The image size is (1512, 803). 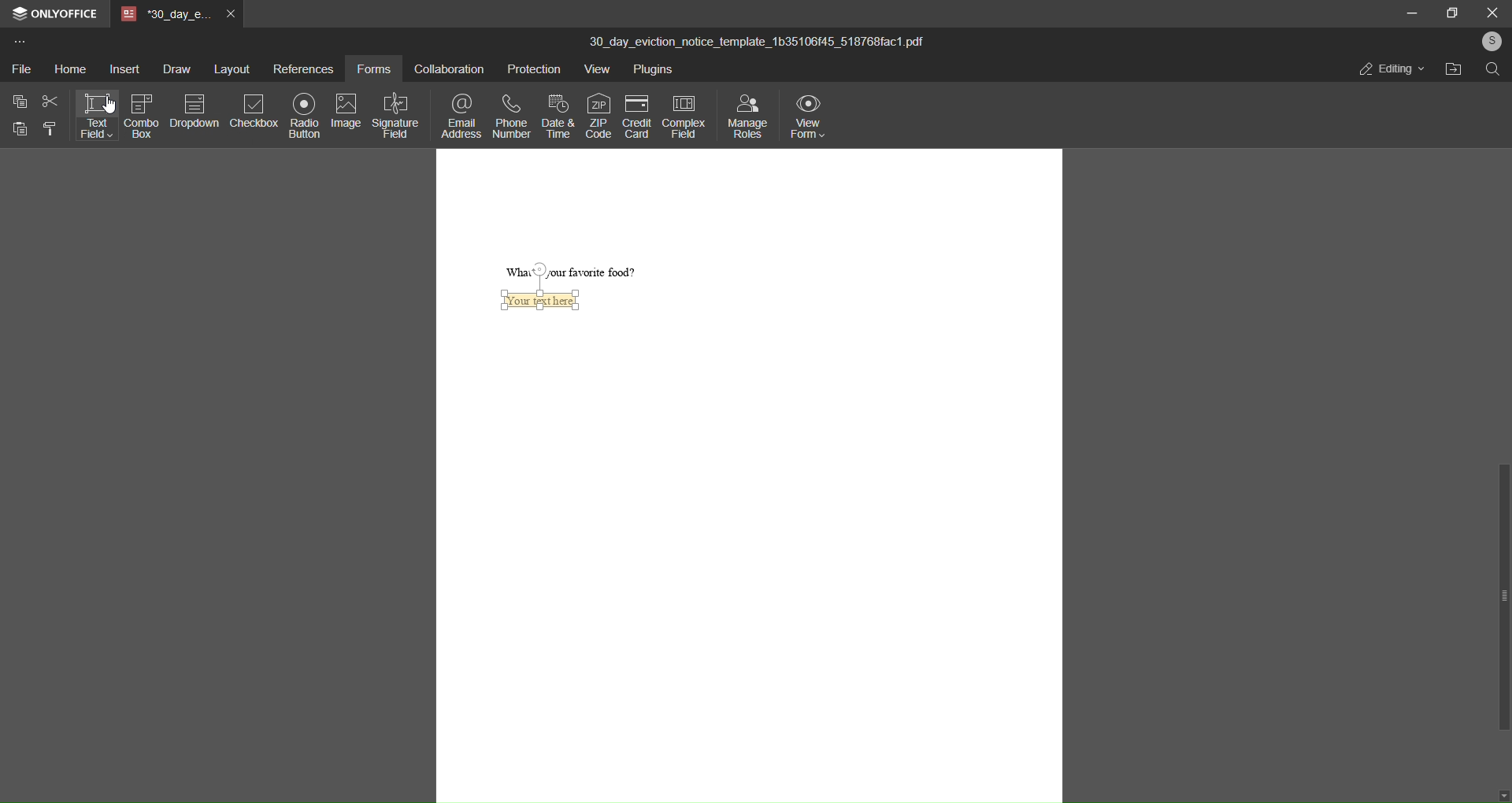 What do you see at coordinates (531, 69) in the screenshot?
I see `protection` at bounding box center [531, 69].